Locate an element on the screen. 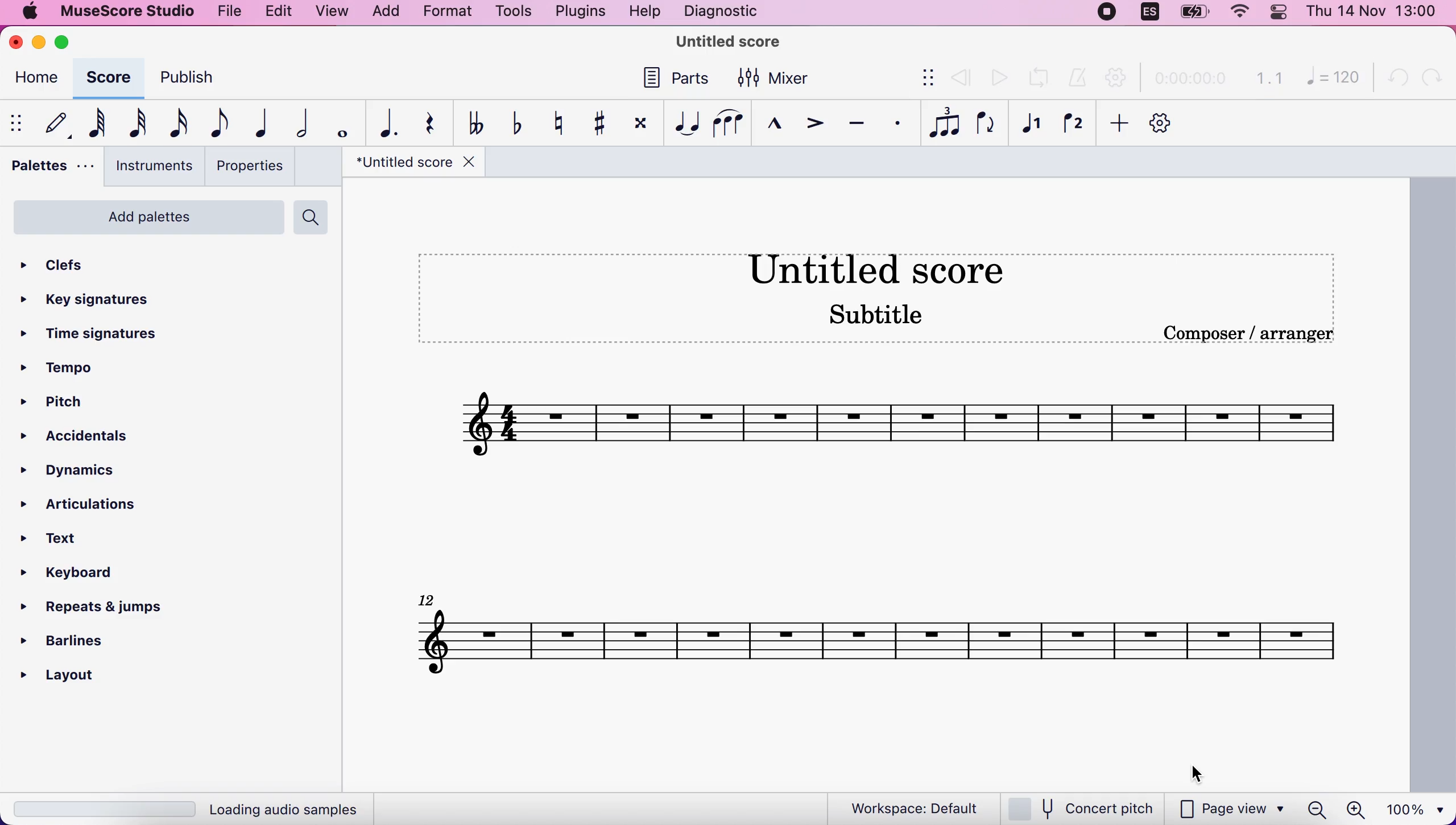 This screenshot has height=825, width=1456. accidentals is located at coordinates (92, 439).